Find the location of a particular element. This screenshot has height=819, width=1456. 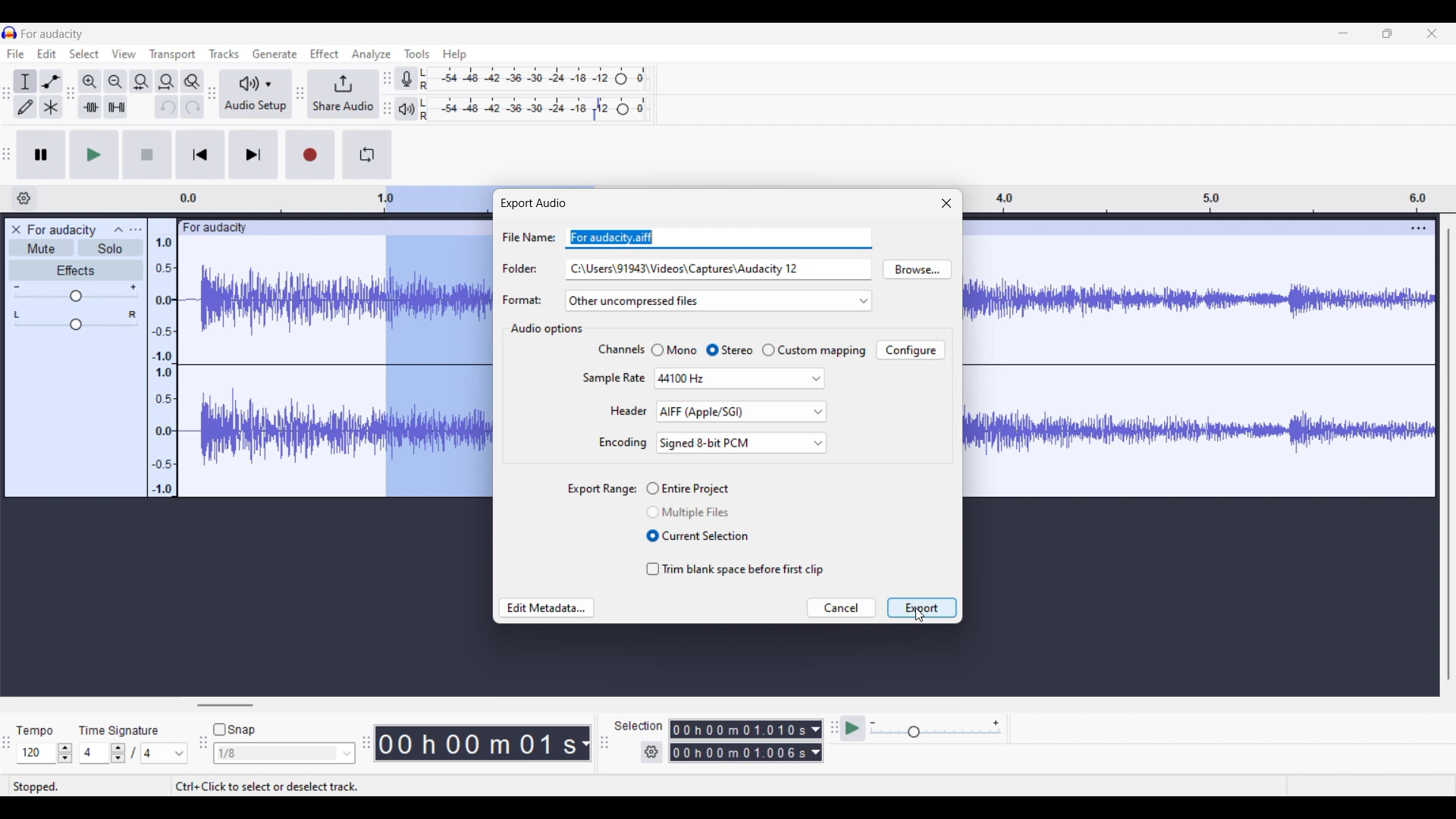

time signature is located at coordinates (119, 730).